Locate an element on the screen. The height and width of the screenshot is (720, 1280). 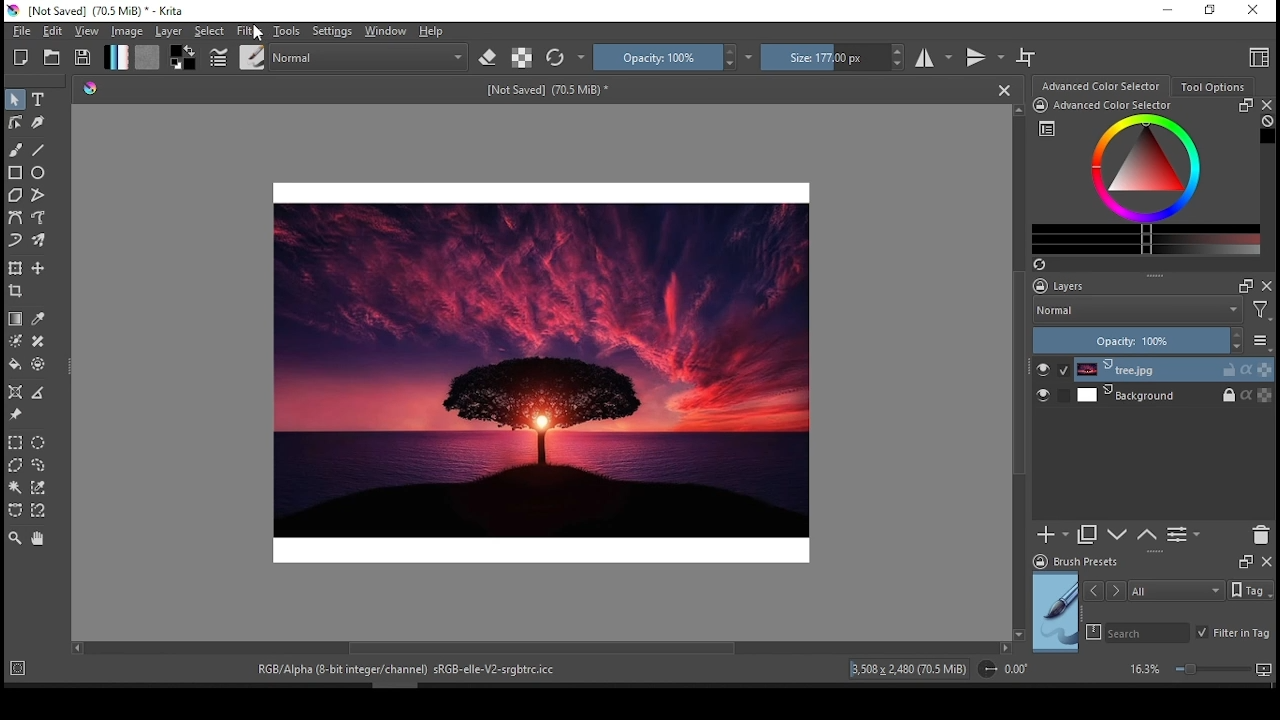
help is located at coordinates (432, 32).